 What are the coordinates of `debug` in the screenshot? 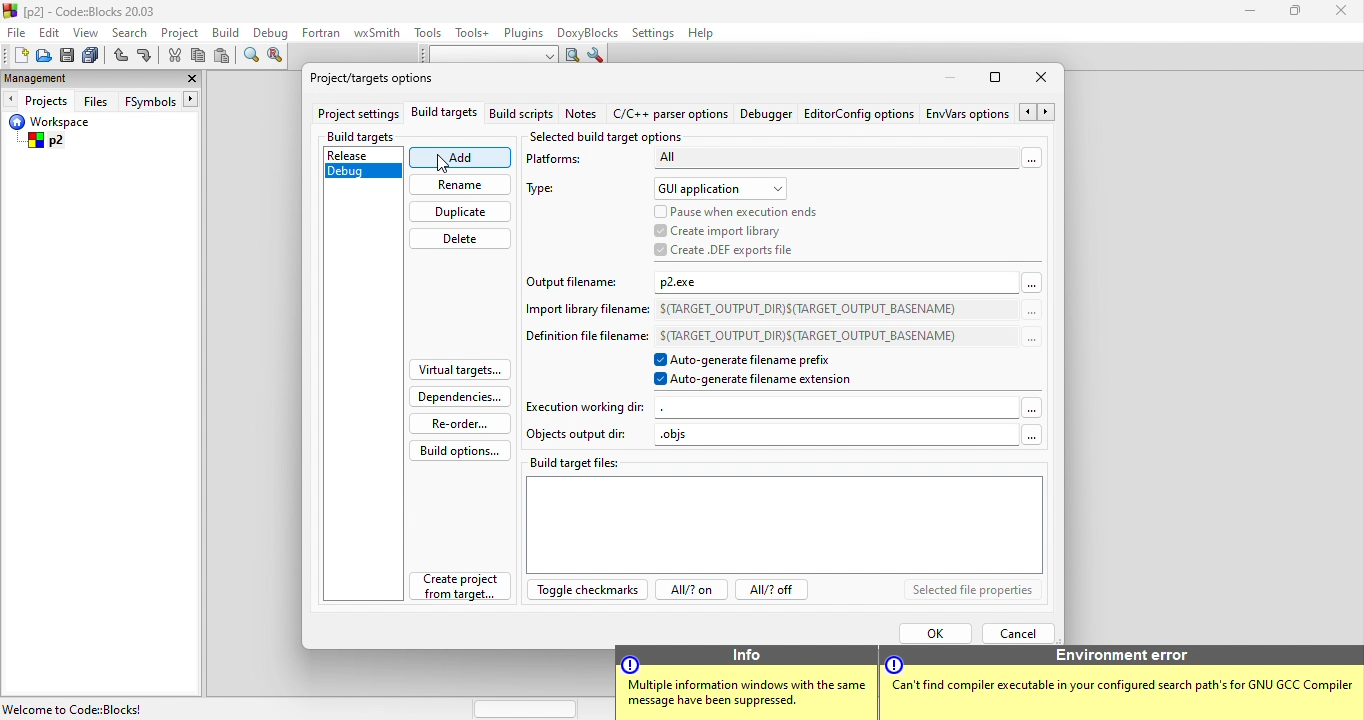 It's located at (272, 33).